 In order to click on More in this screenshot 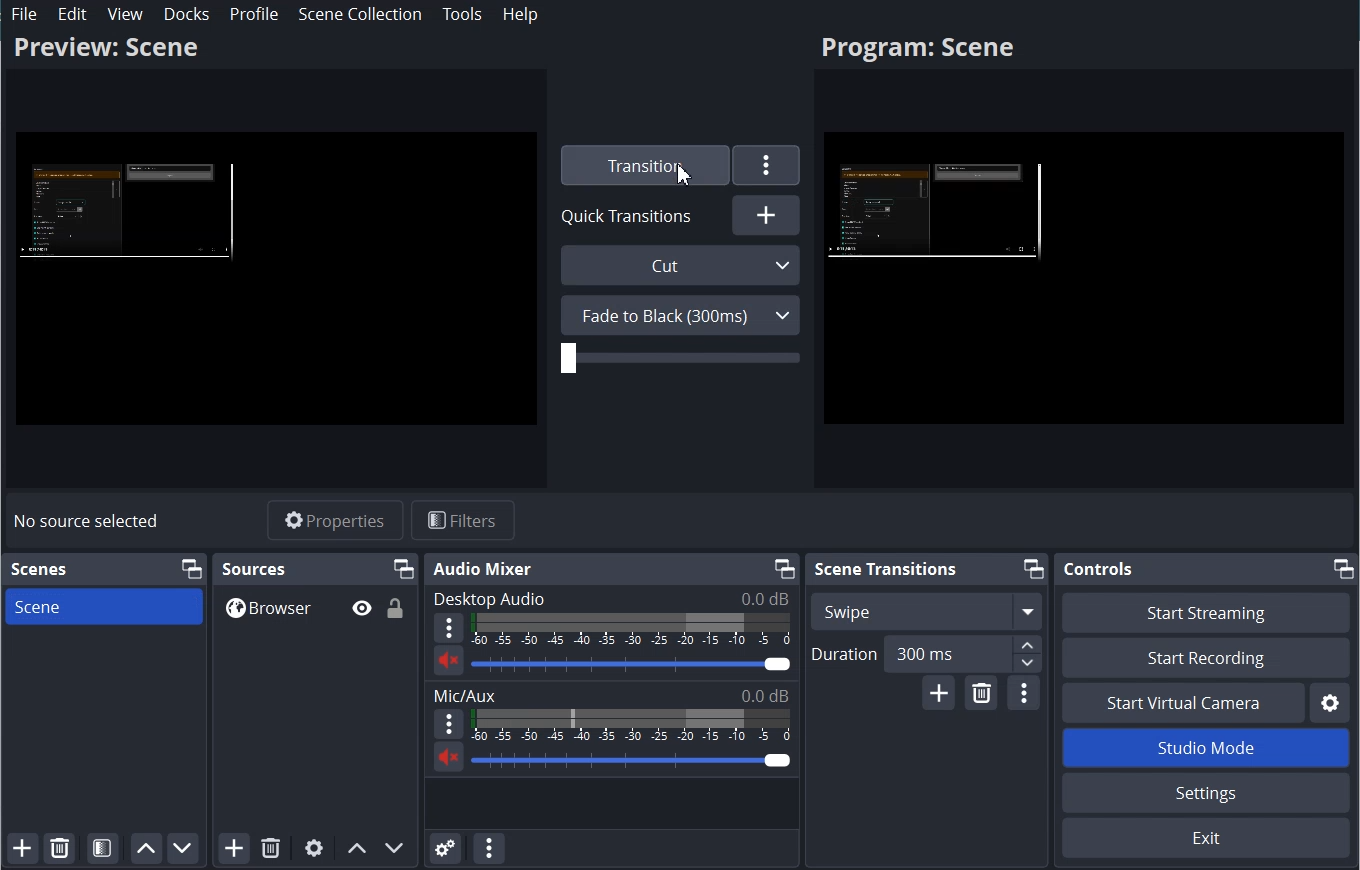, I will do `click(448, 724)`.